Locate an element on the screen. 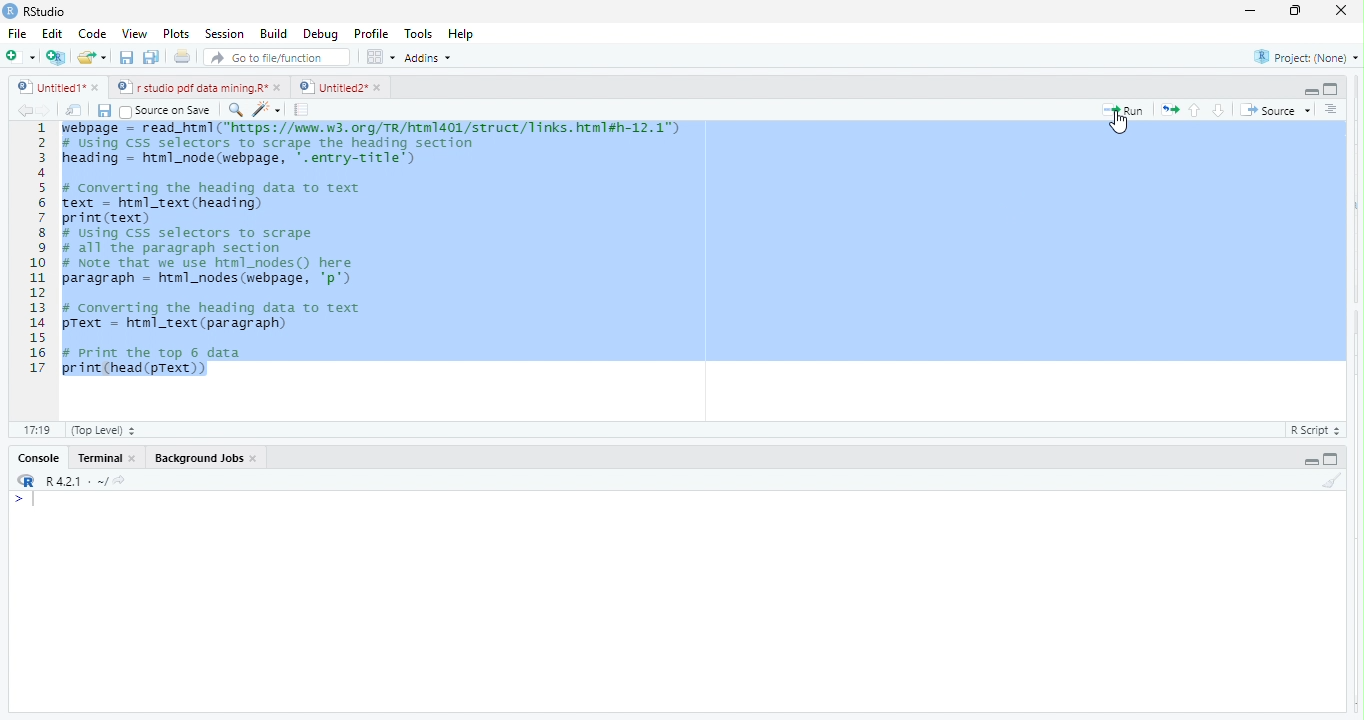  RStudio is located at coordinates (51, 10).